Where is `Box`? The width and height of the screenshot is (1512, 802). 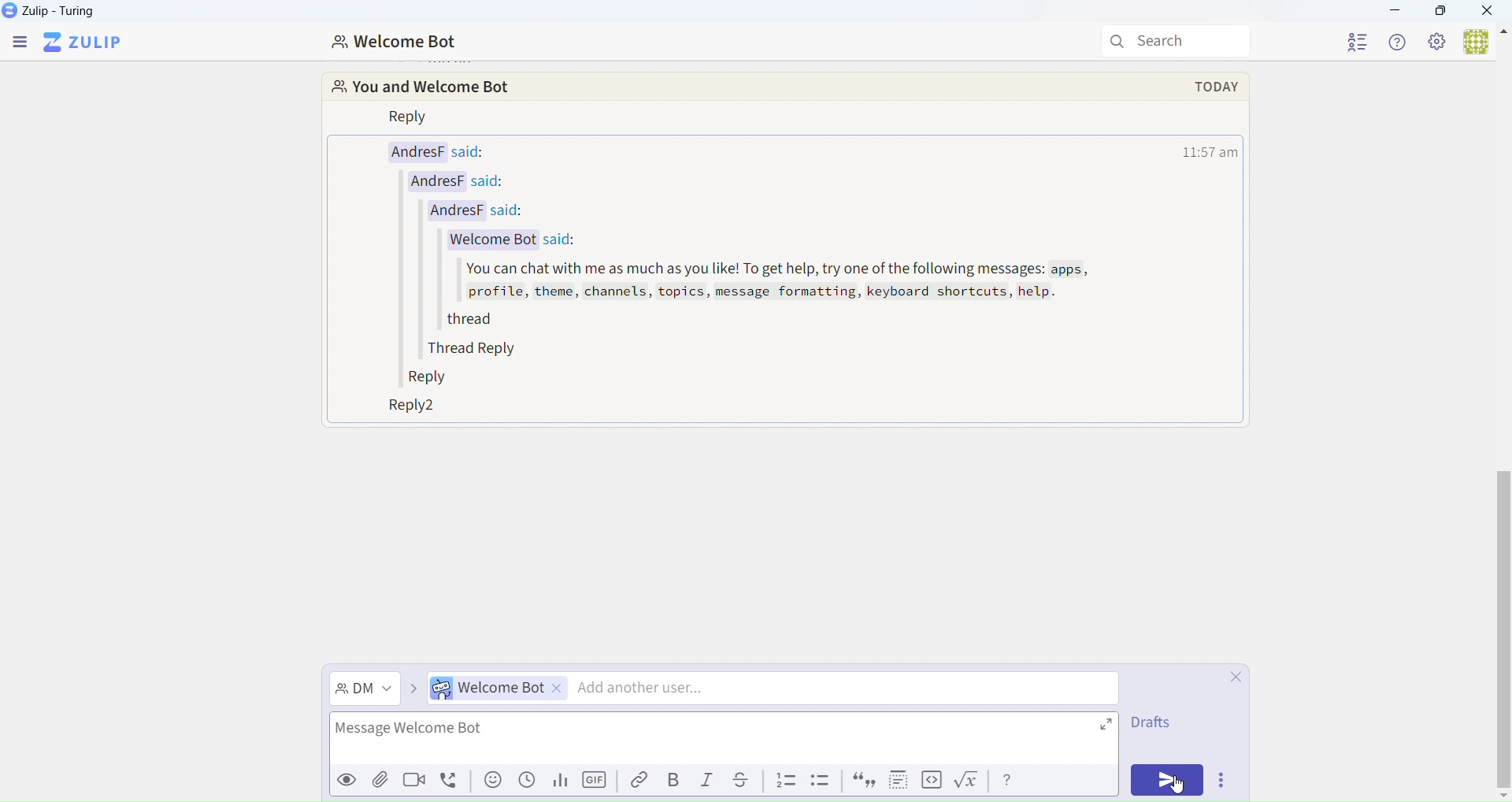
Box is located at coordinates (1441, 12).